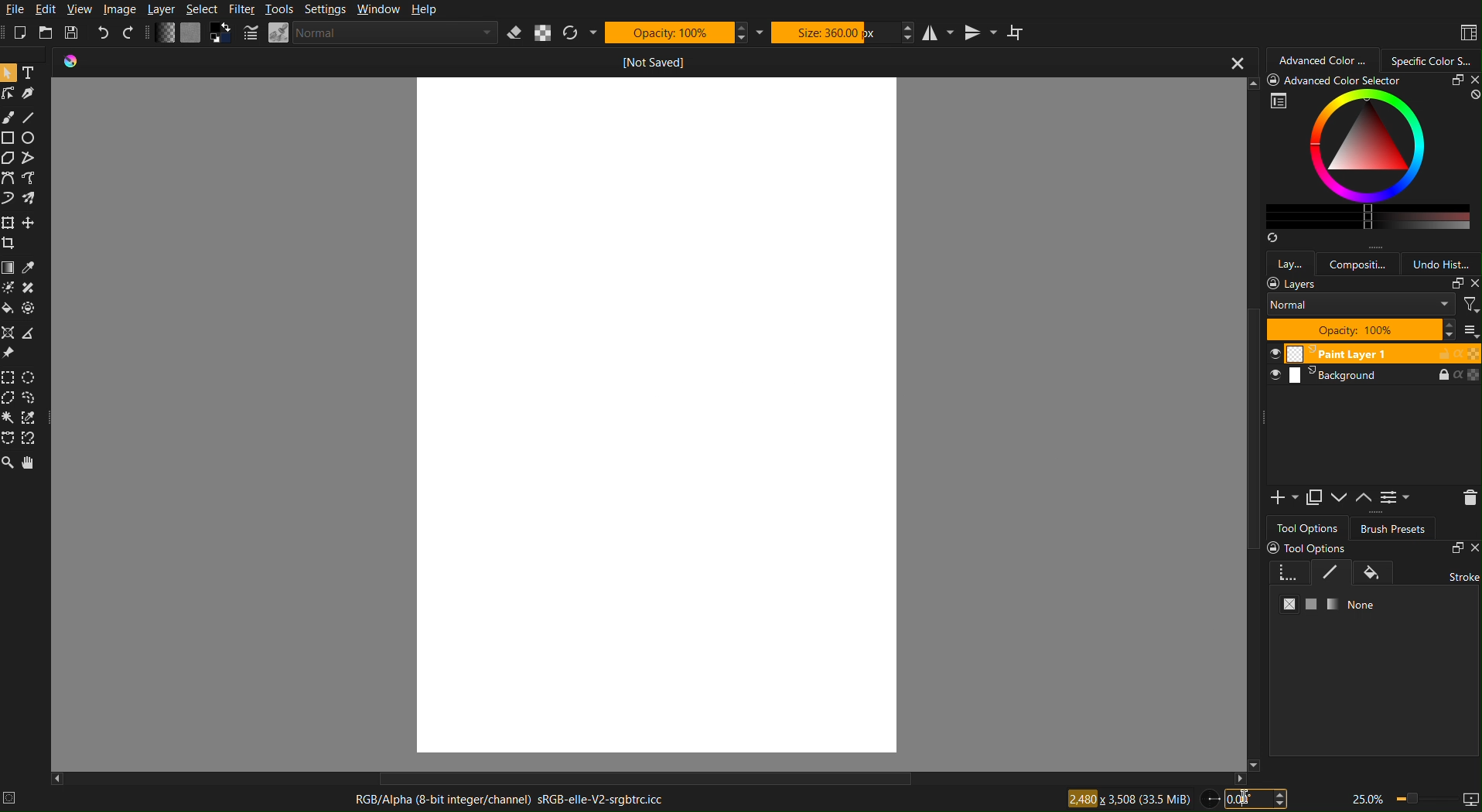 This screenshot has height=812, width=1482. What do you see at coordinates (1393, 529) in the screenshot?
I see `Brush Presets` at bounding box center [1393, 529].